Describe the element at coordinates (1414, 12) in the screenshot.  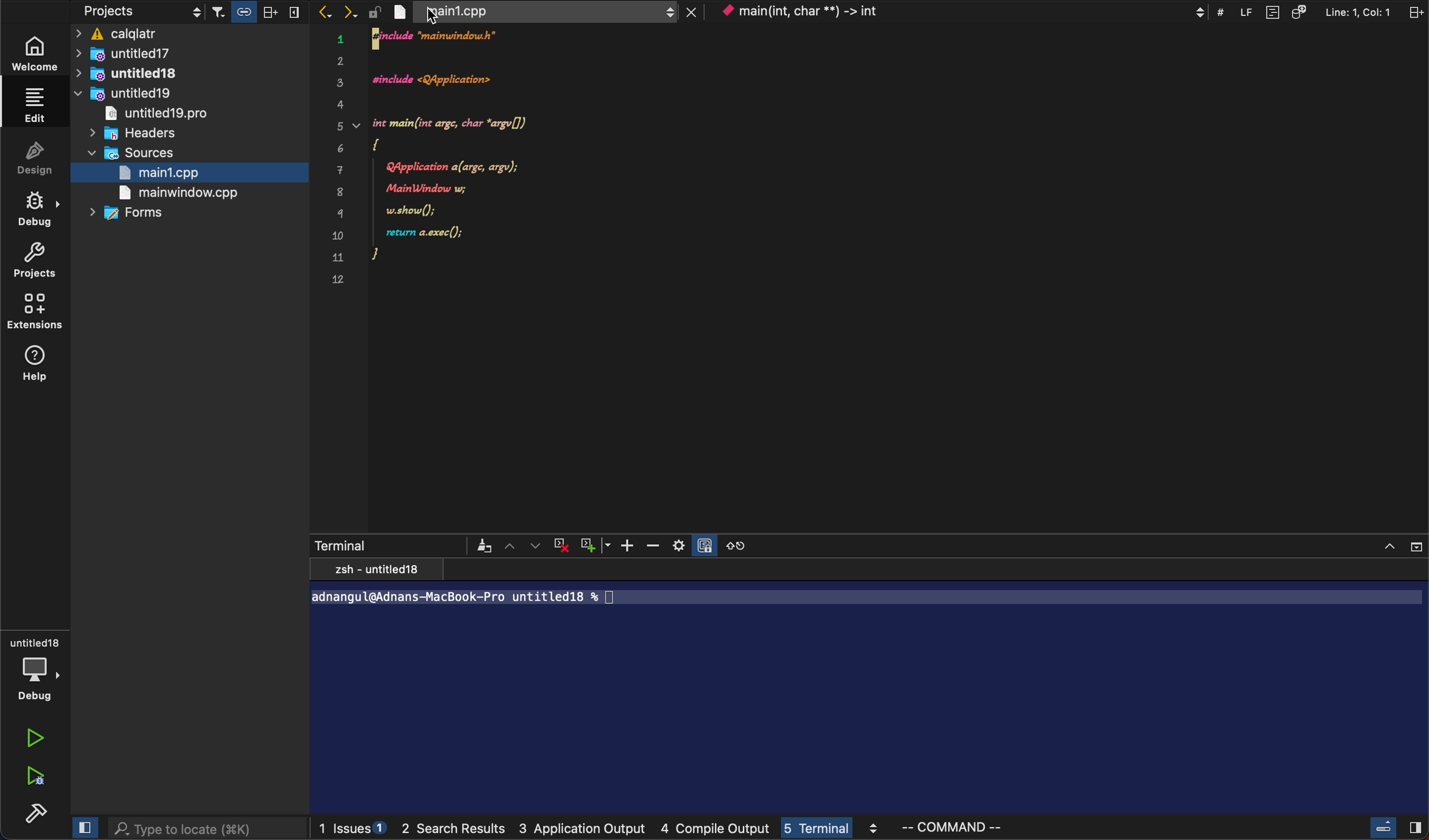
I see `split` at that location.